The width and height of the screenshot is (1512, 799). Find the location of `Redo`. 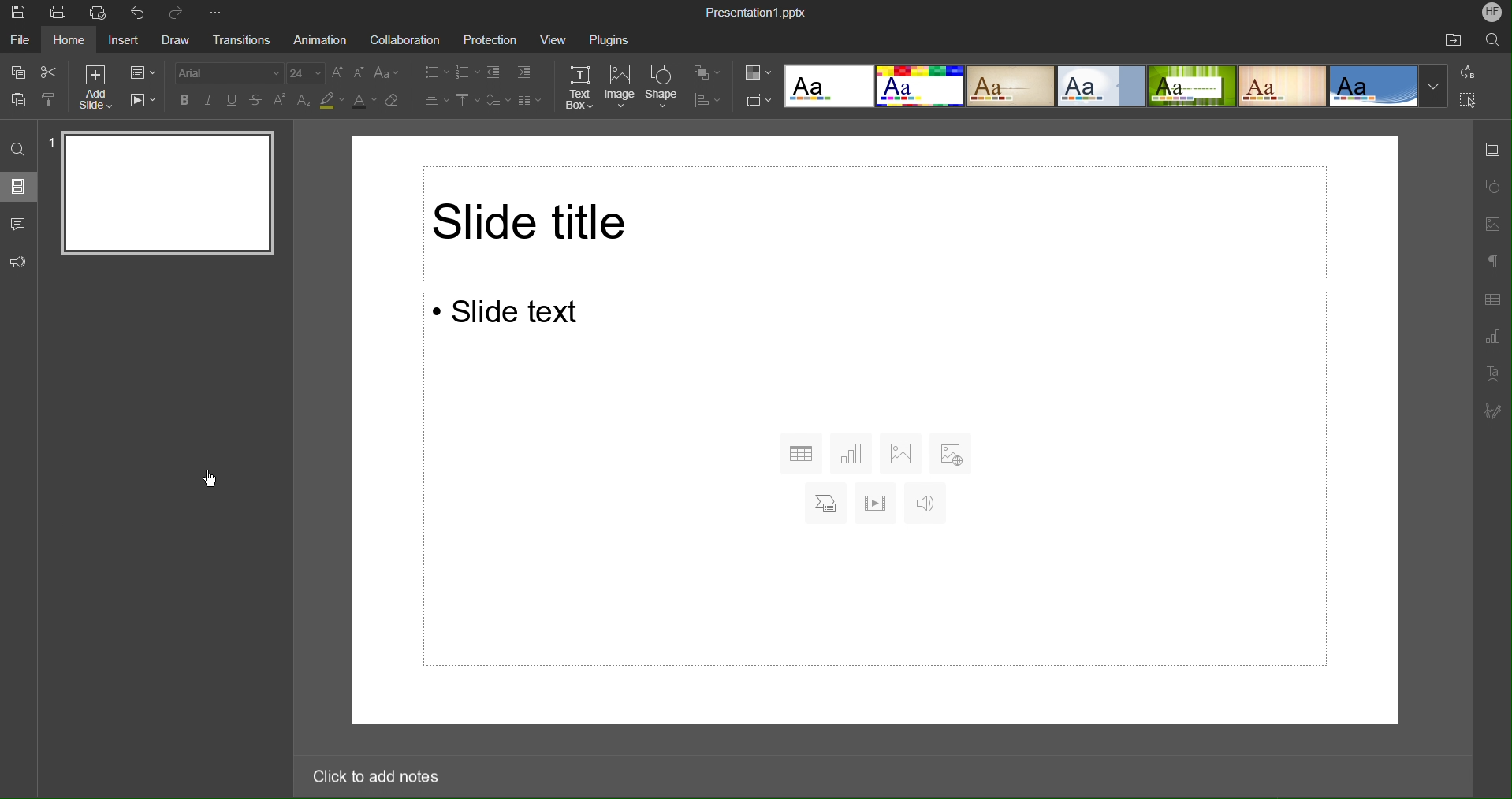

Redo is located at coordinates (178, 13).